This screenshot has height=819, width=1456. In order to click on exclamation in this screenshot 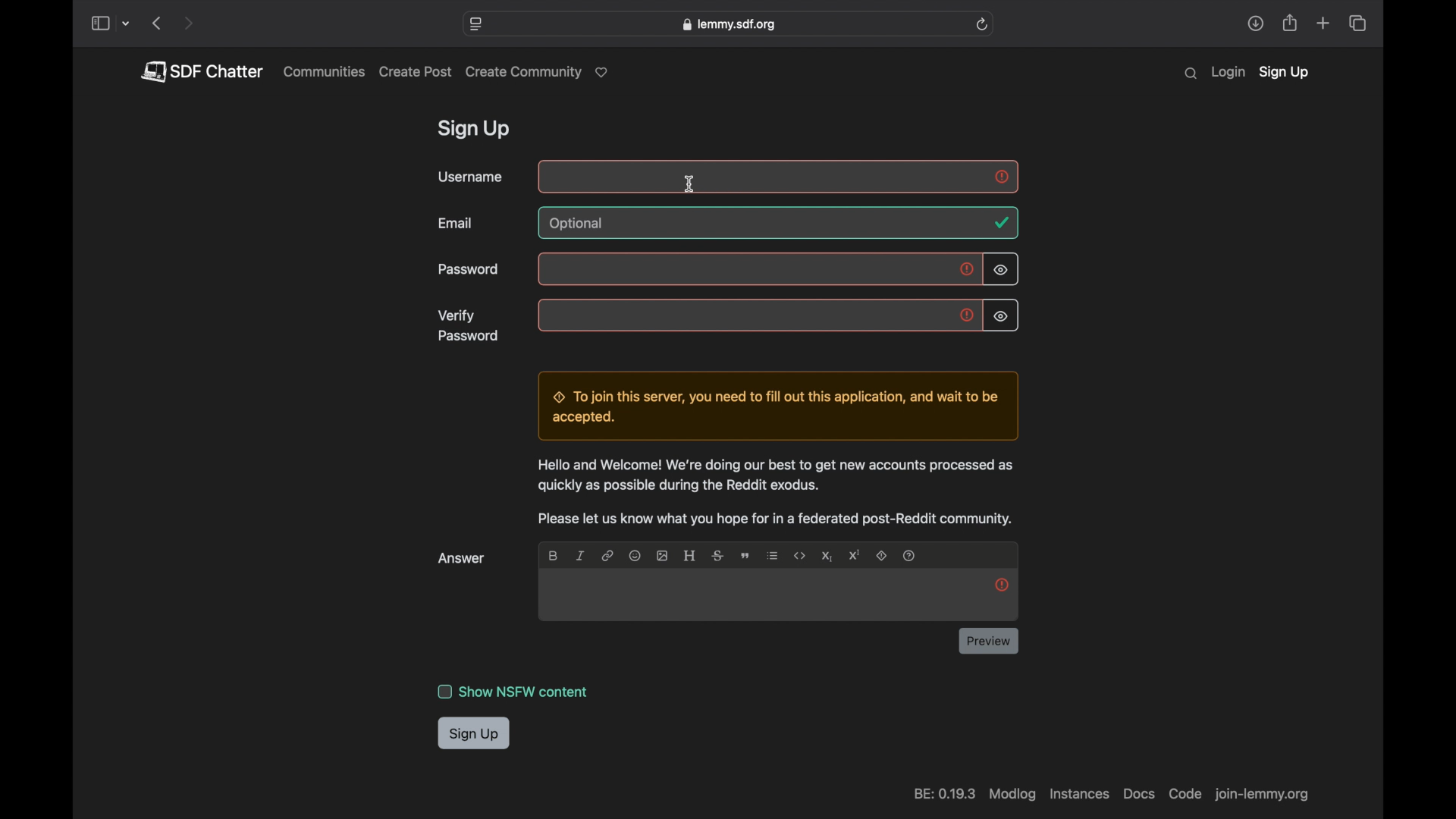, I will do `click(968, 271)`.